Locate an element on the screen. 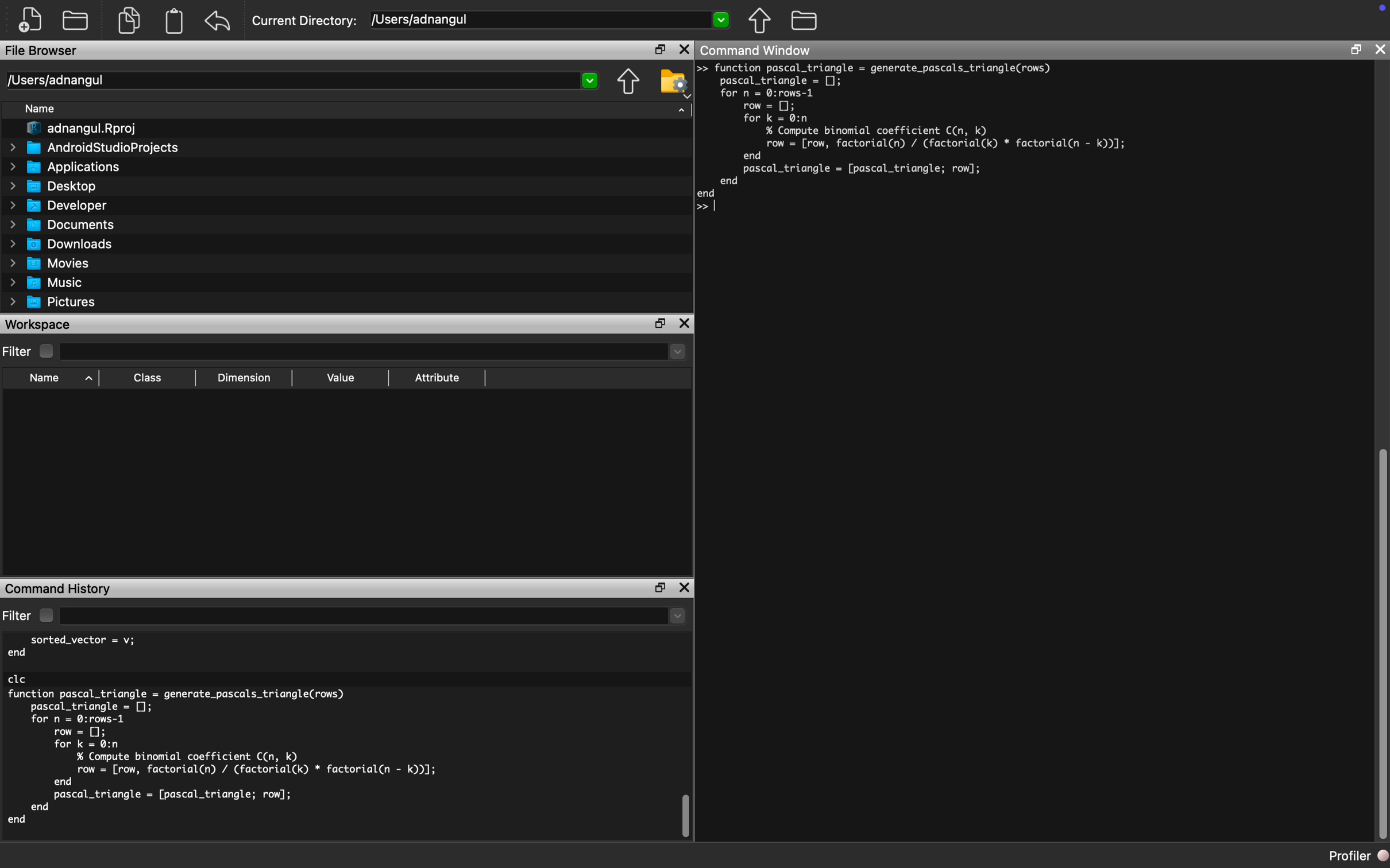 Image resolution: width=1390 pixels, height=868 pixels. Scroll is located at coordinates (686, 744).